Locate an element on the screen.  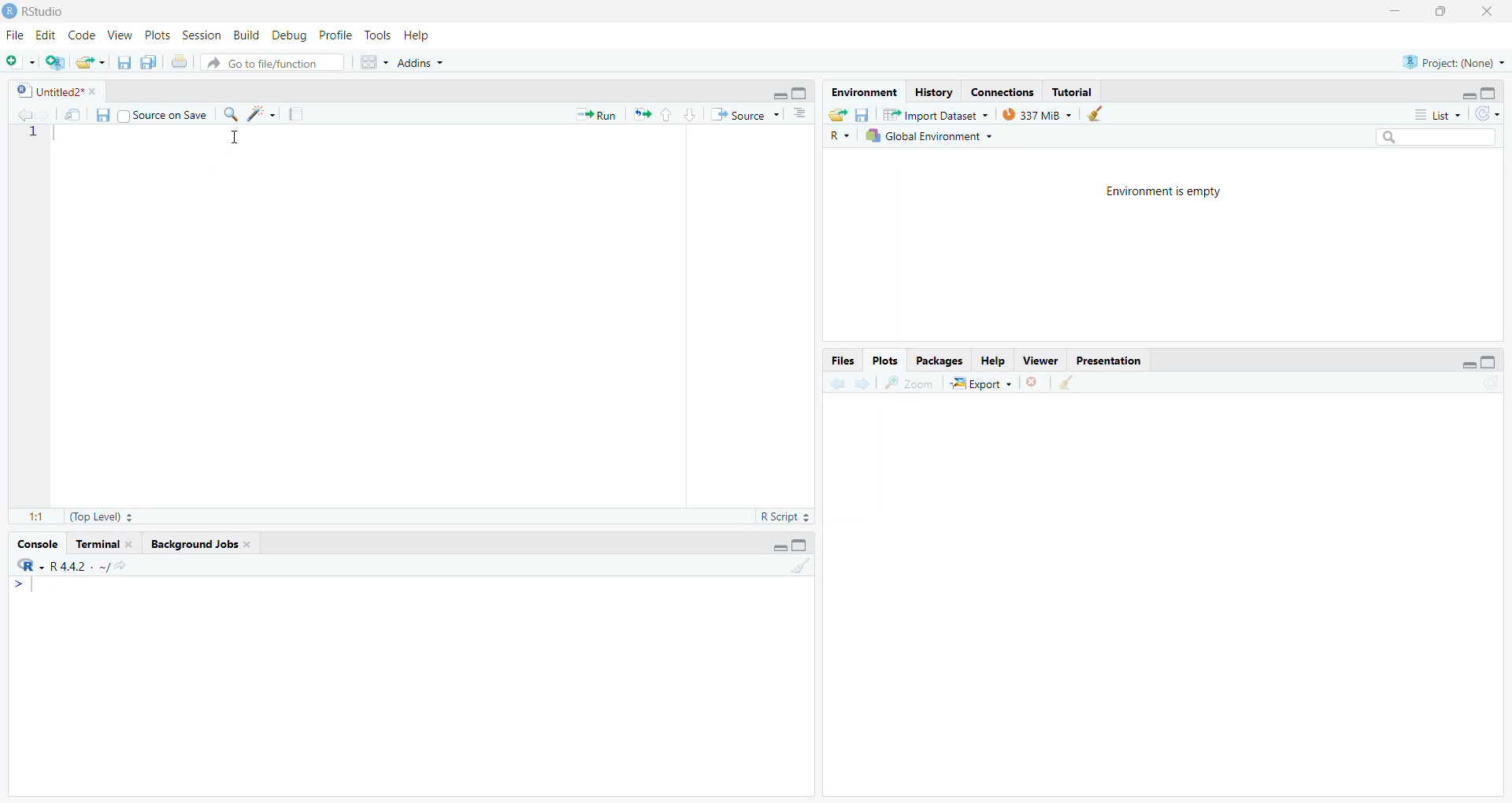
 Plots is located at coordinates (155, 35).